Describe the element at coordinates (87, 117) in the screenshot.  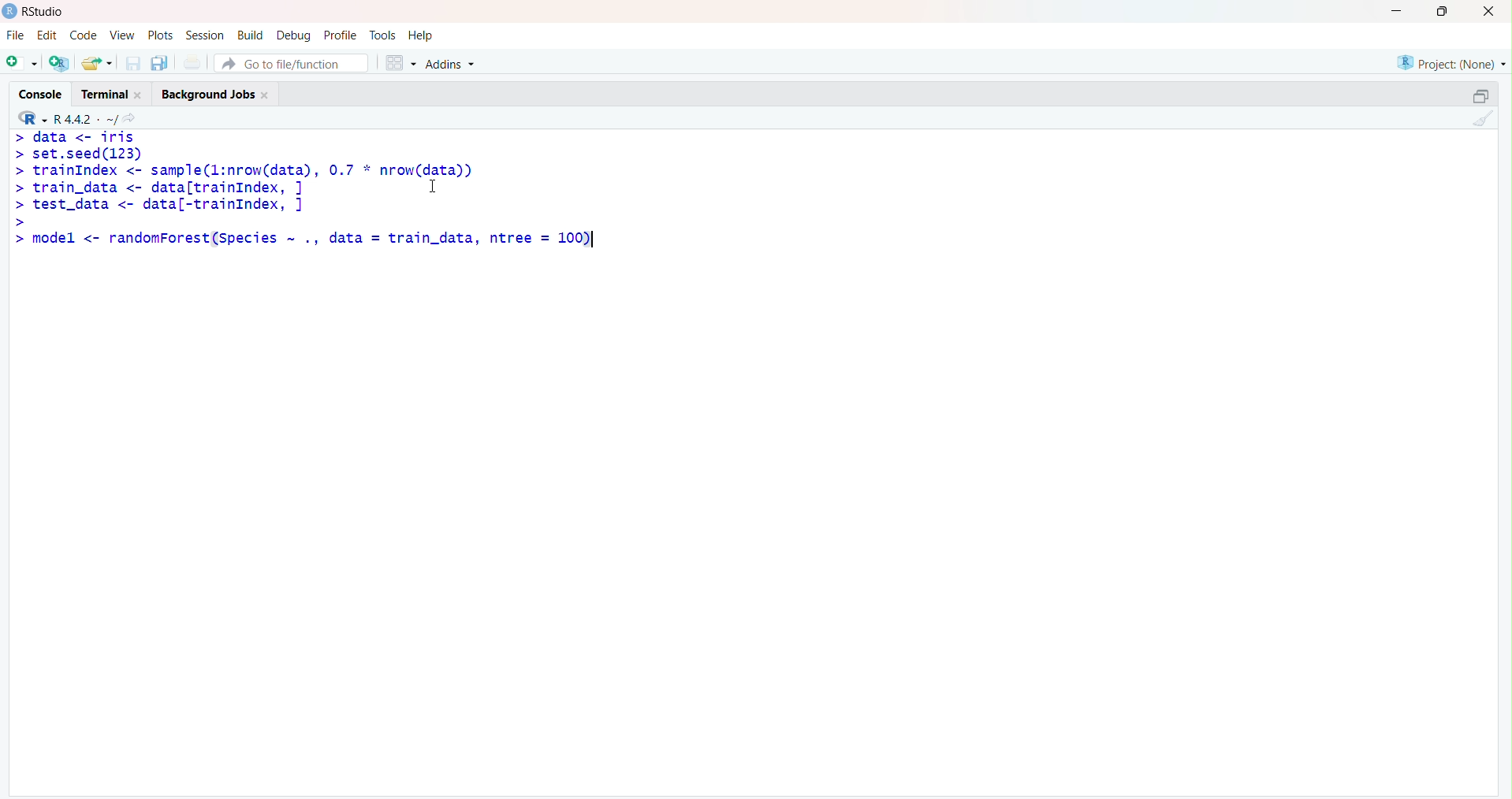
I see `R.4.4.2. ~/` at that location.